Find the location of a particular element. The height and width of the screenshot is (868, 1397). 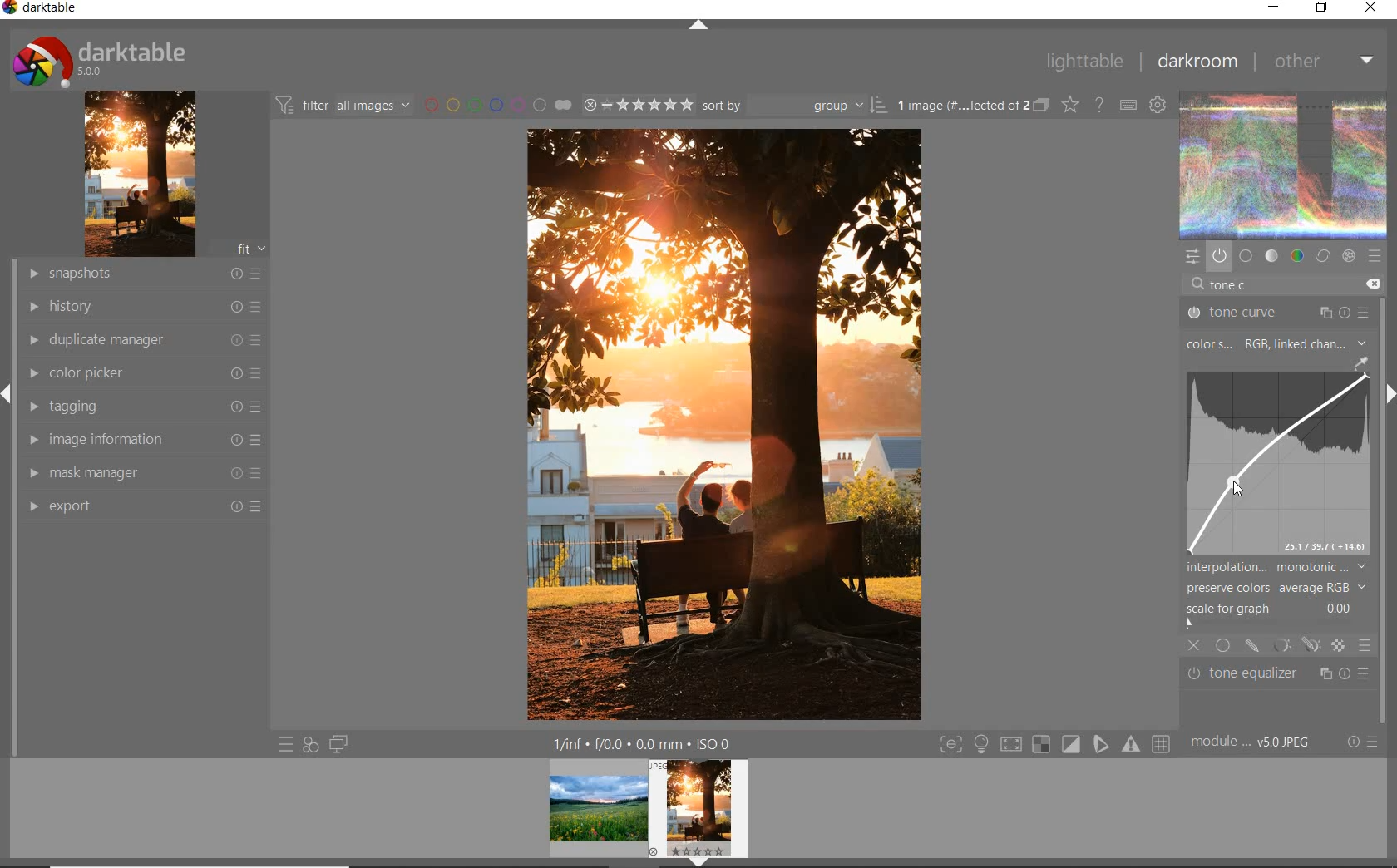

filter by image color label is located at coordinates (500, 104).